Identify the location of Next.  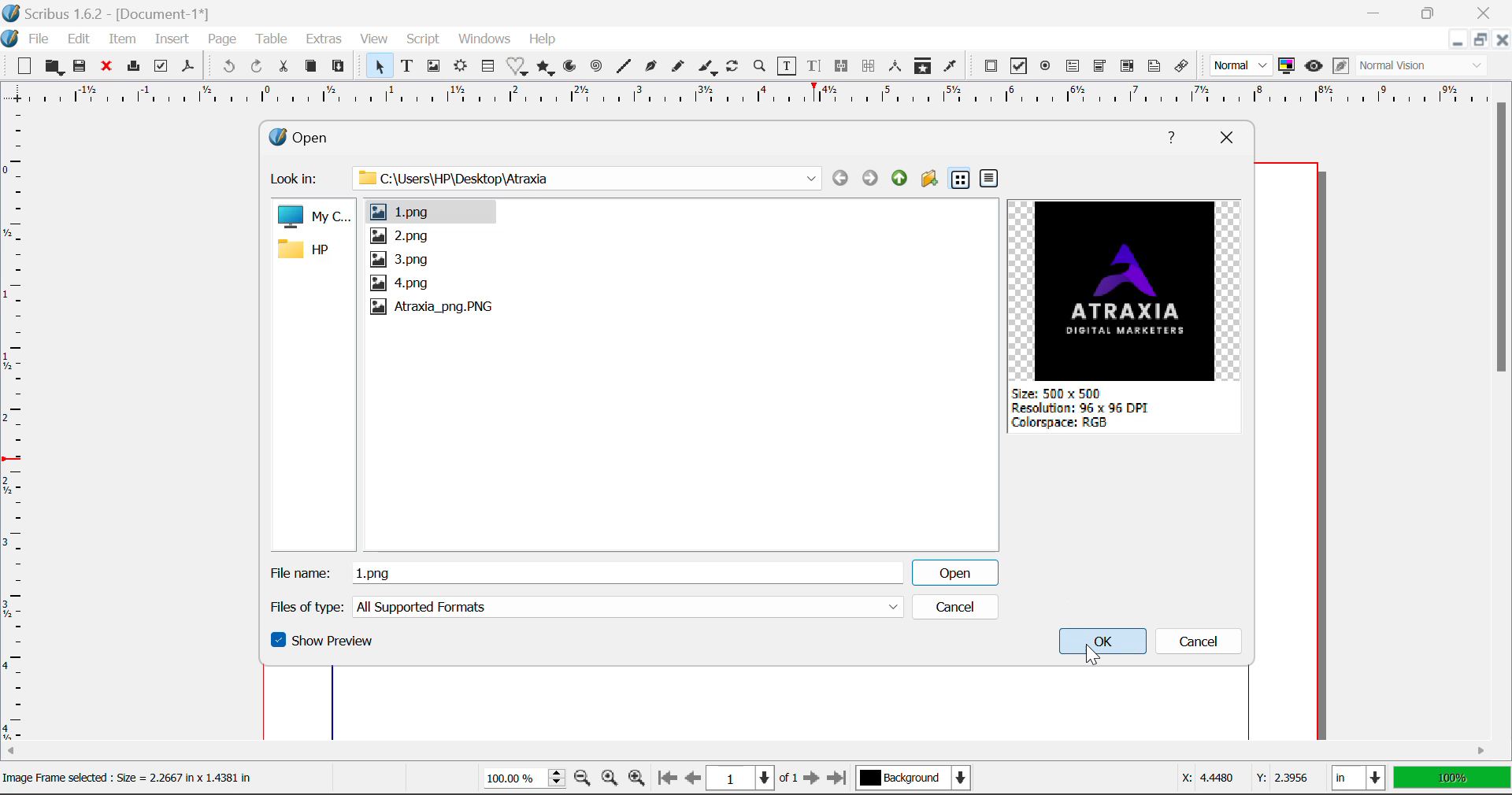
(813, 779).